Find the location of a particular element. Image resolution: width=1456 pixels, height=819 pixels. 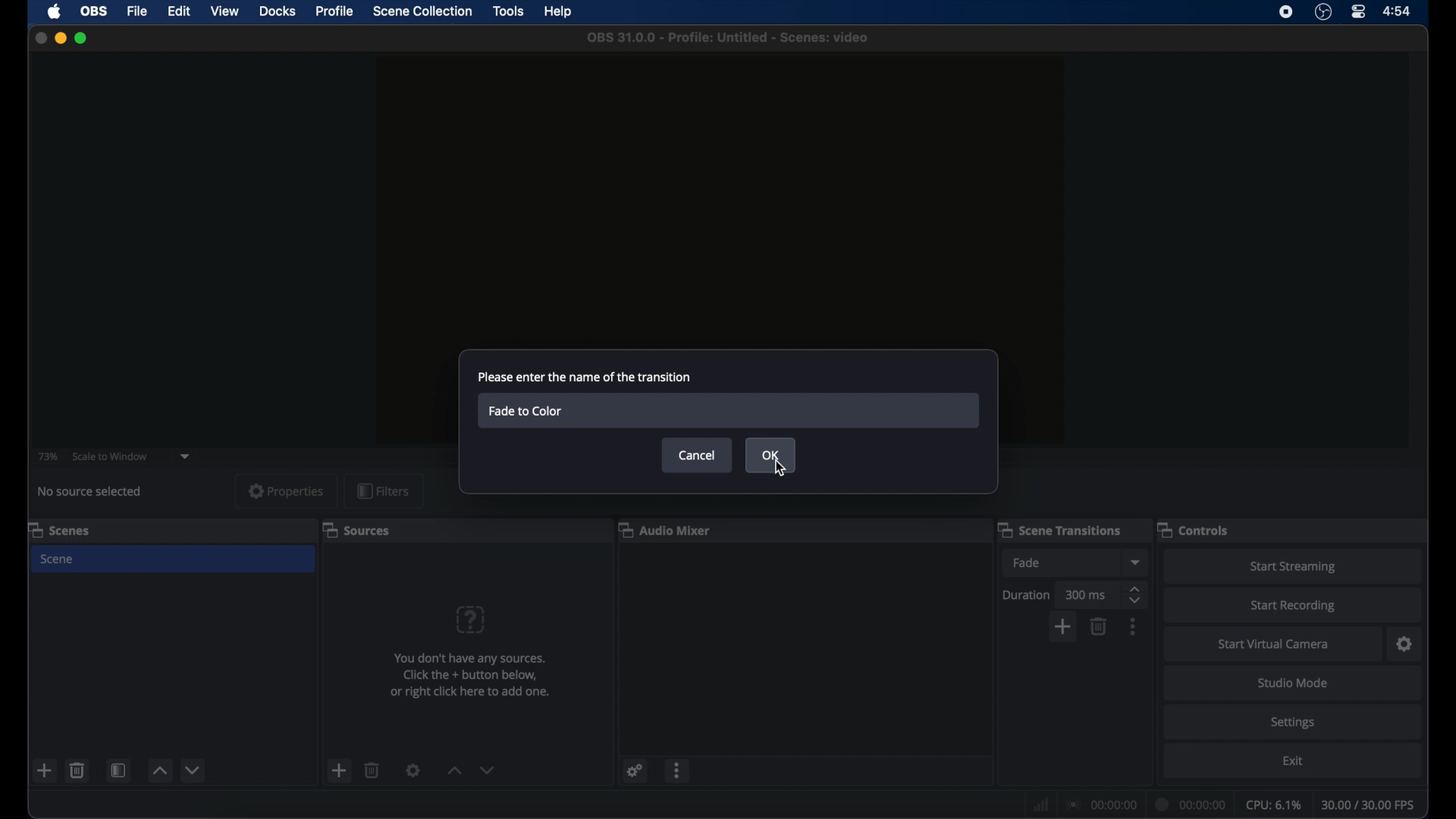

time is located at coordinates (1398, 12).